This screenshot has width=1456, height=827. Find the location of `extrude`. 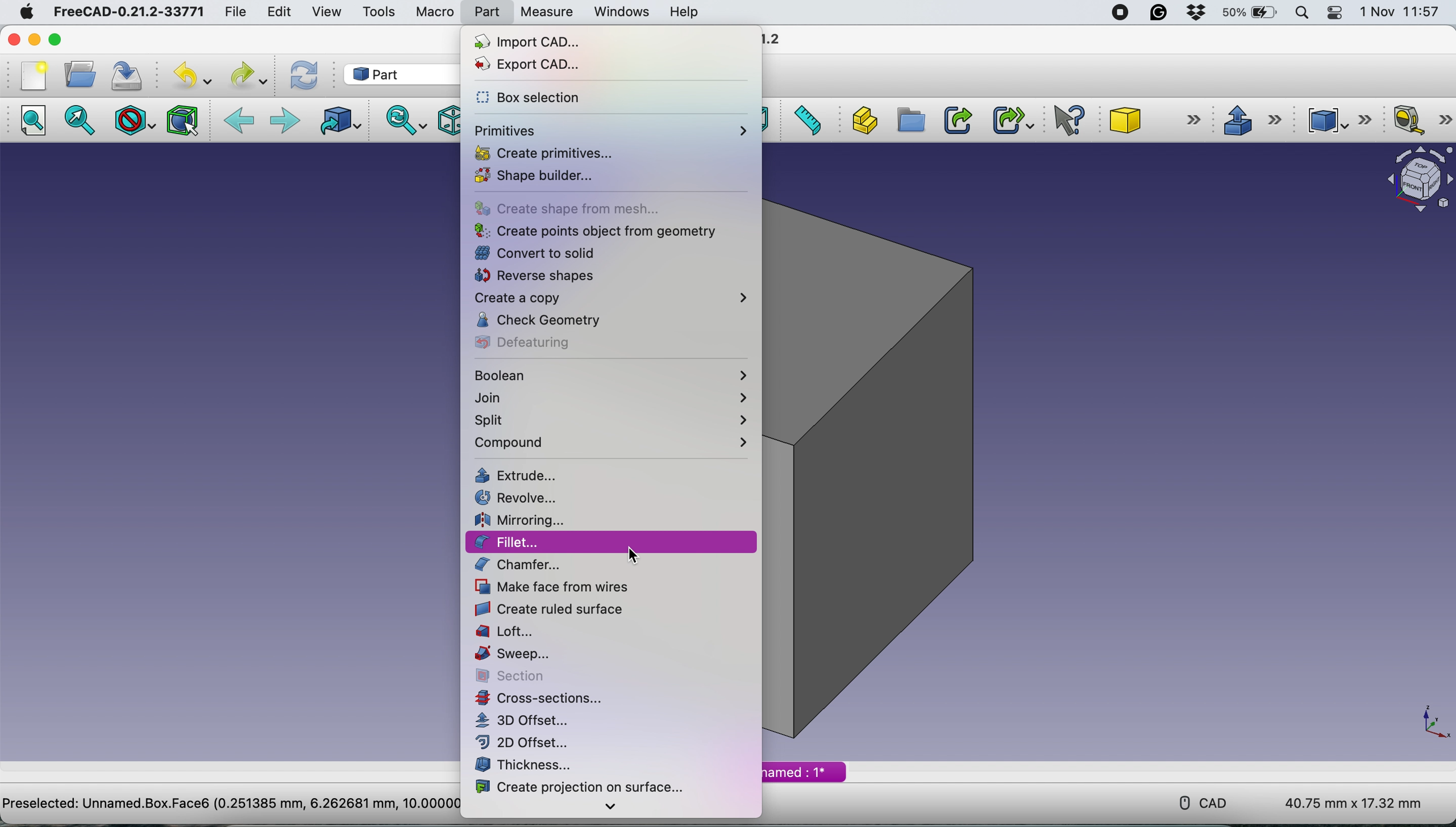

extrude is located at coordinates (1248, 118).